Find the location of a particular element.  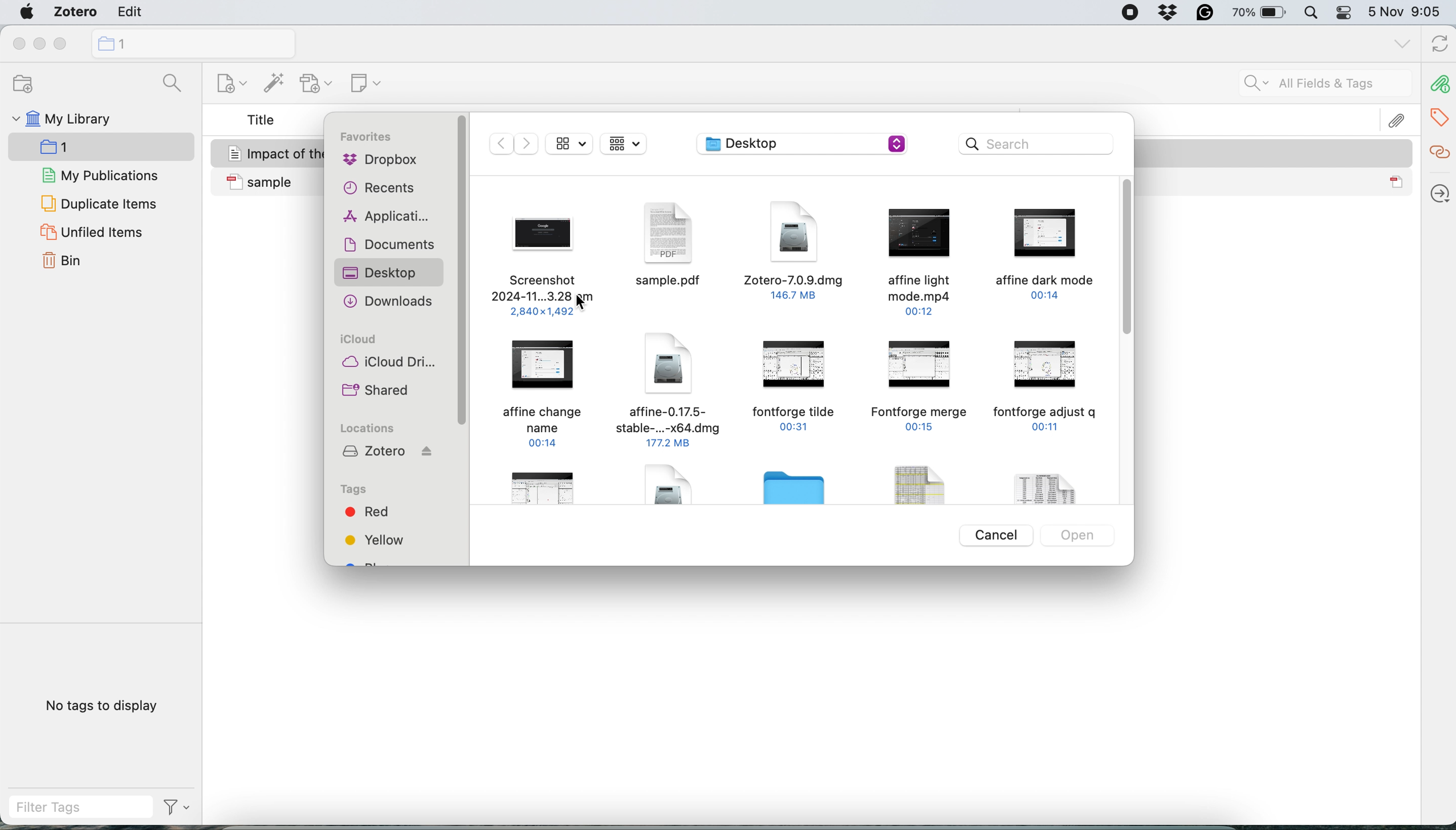

File is located at coordinates (679, 491).